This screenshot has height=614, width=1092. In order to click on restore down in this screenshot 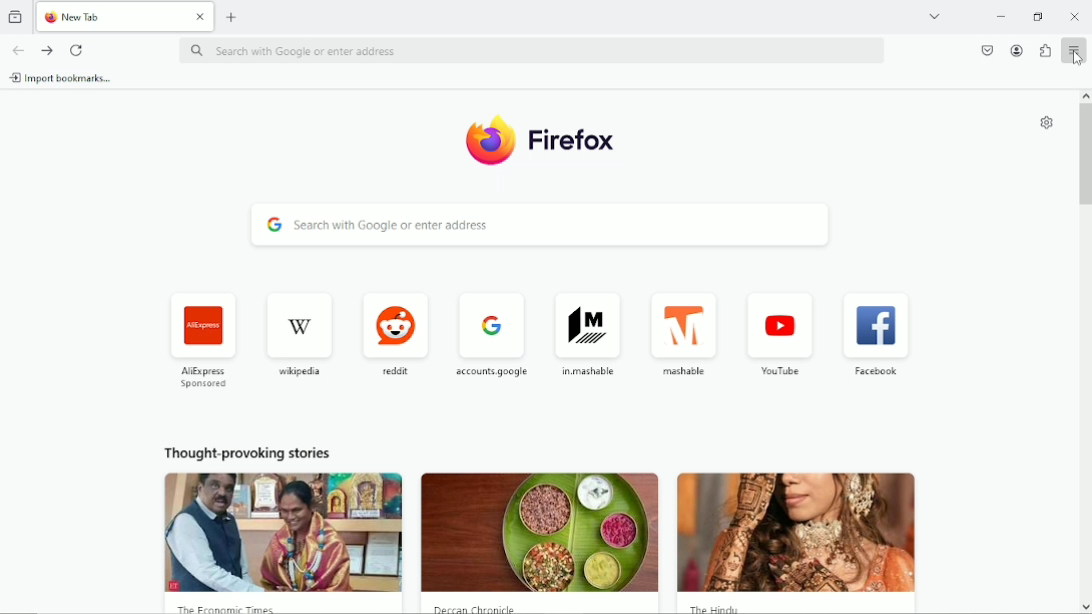, I will do `click(1038, 14)`.